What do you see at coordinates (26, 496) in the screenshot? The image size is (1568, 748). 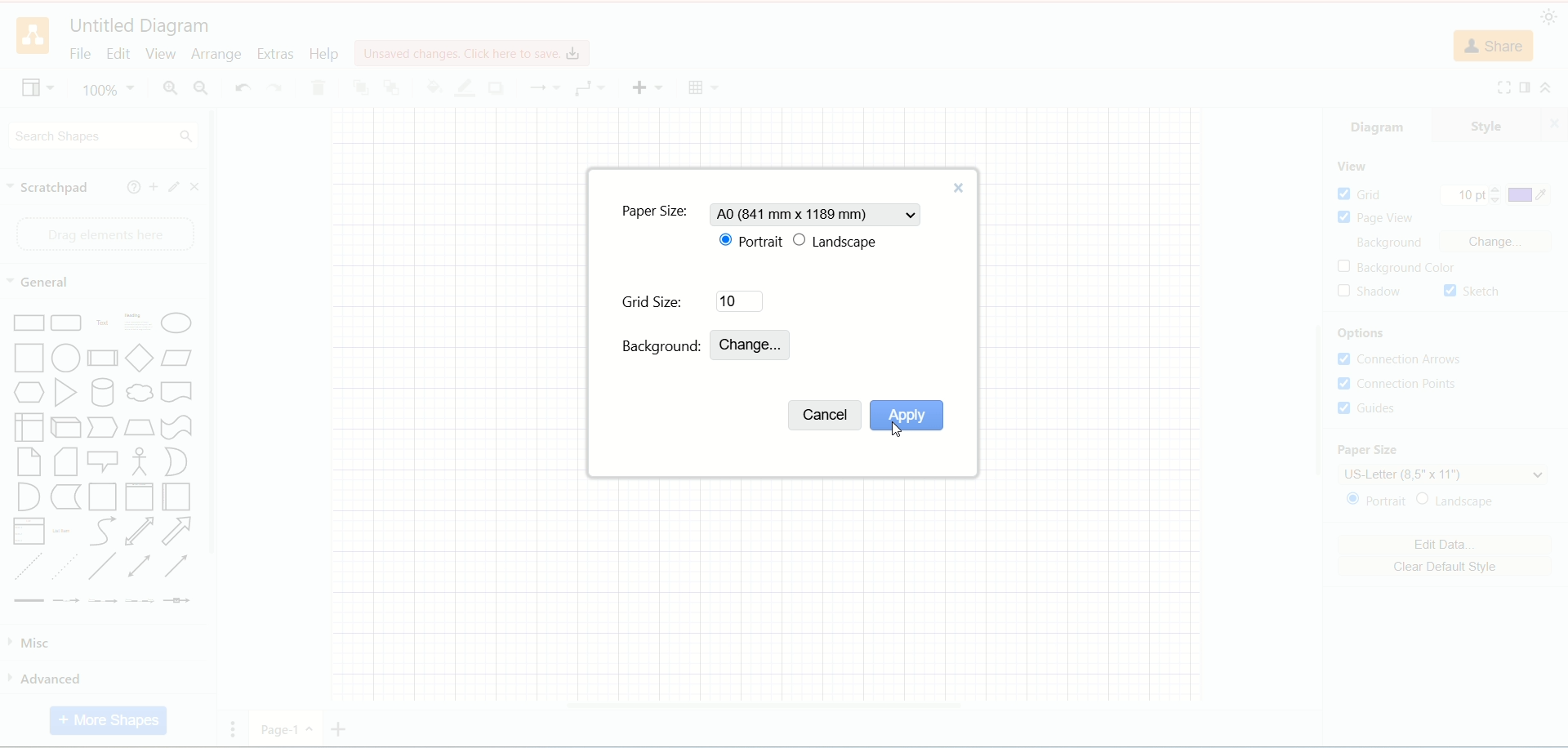 I see `And` at bounding box center [26, 496].